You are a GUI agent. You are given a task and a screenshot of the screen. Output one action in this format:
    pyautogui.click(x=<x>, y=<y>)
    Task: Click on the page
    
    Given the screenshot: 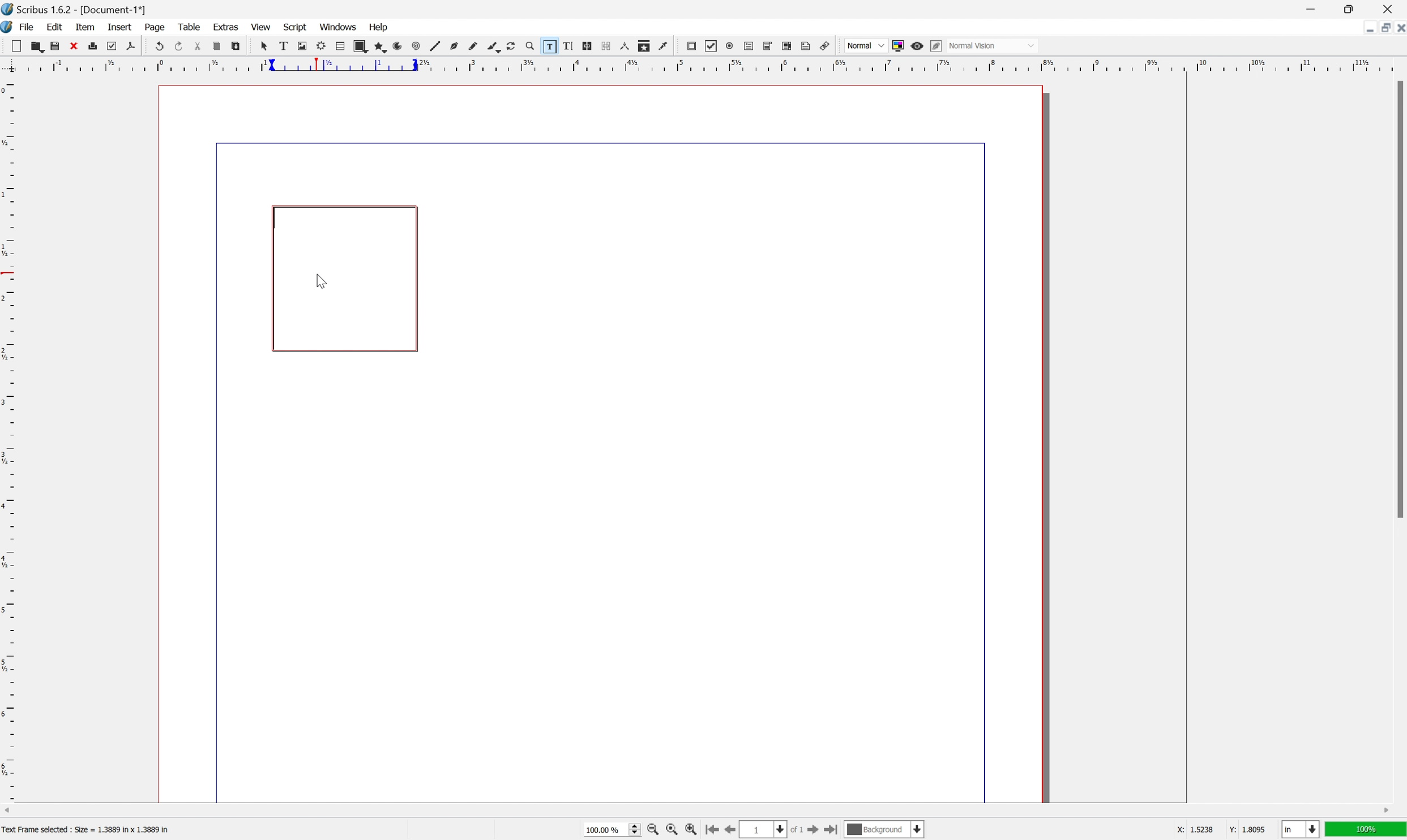 What is the action you would take?
    pyautogui.click(x=156, y=27)
    